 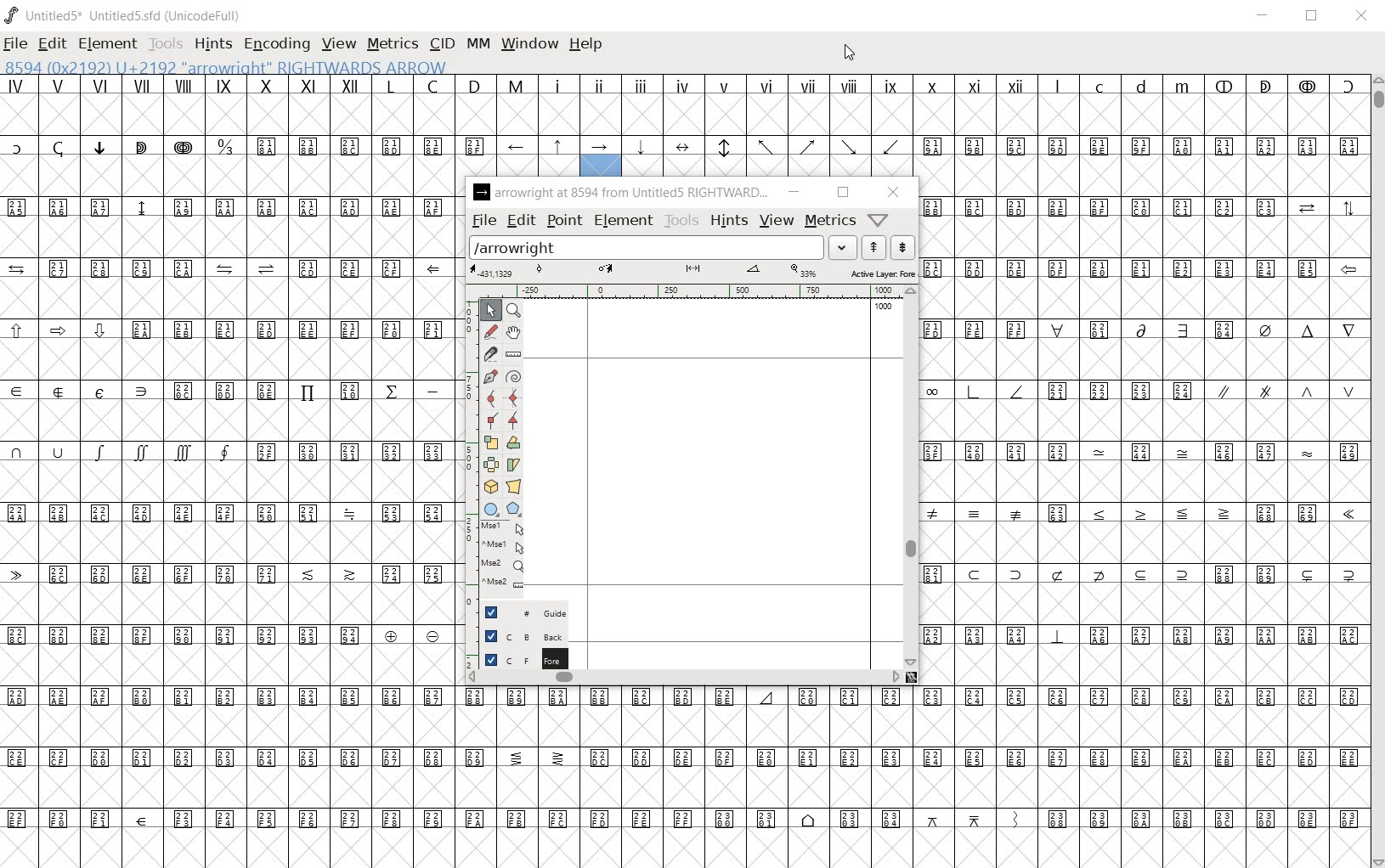 What do you see at coordinates (491, 442) in the screenshot?
I see `scale the selection` at bounding box center [491, 442].